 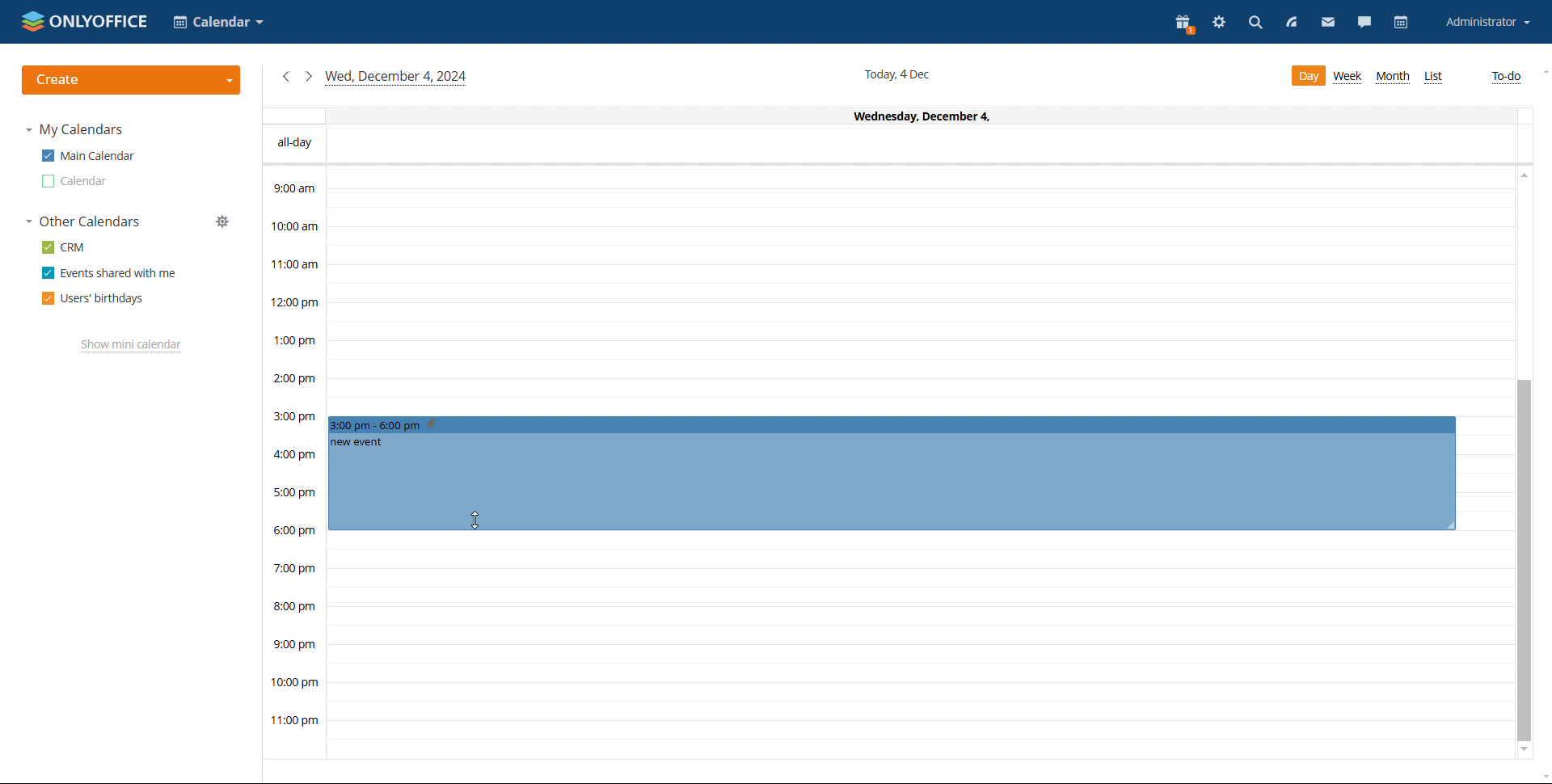 I want to click on month view, so click(x=1392, y=77).